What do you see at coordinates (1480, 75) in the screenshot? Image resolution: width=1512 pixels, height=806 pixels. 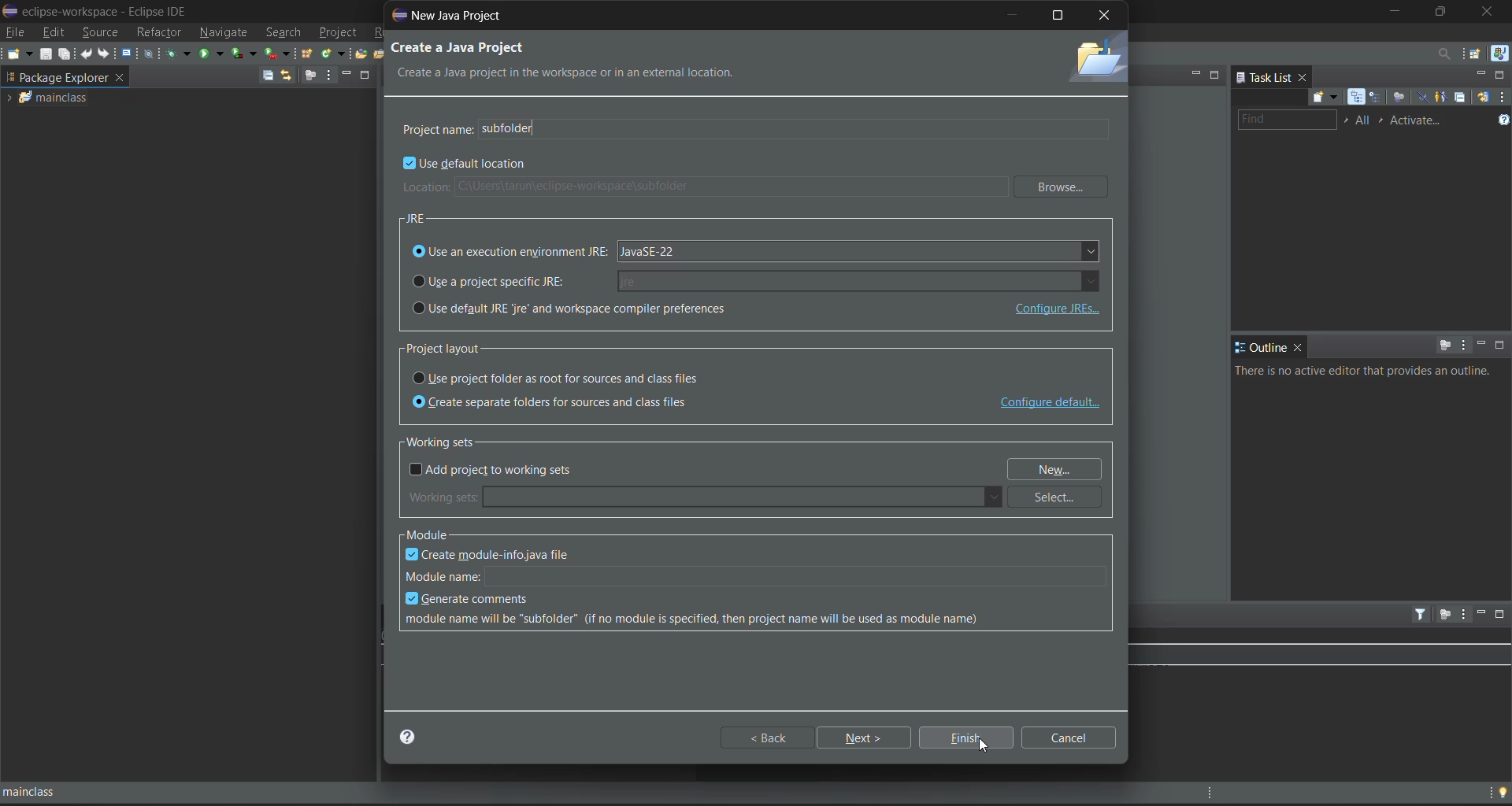 I see `minimize` at bounding box center [1480, 75].